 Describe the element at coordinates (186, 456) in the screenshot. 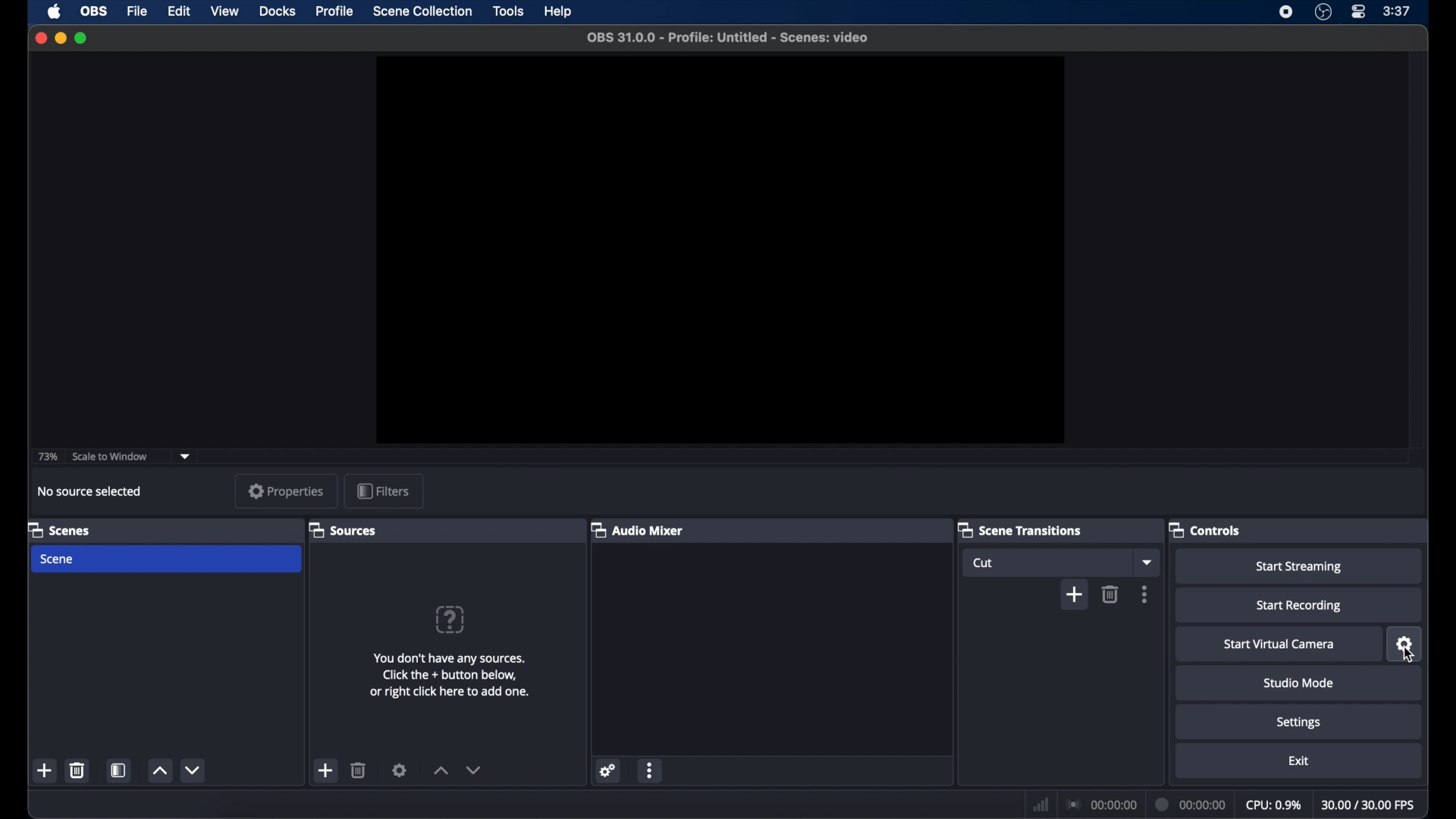

I see `dropdown` at that location.